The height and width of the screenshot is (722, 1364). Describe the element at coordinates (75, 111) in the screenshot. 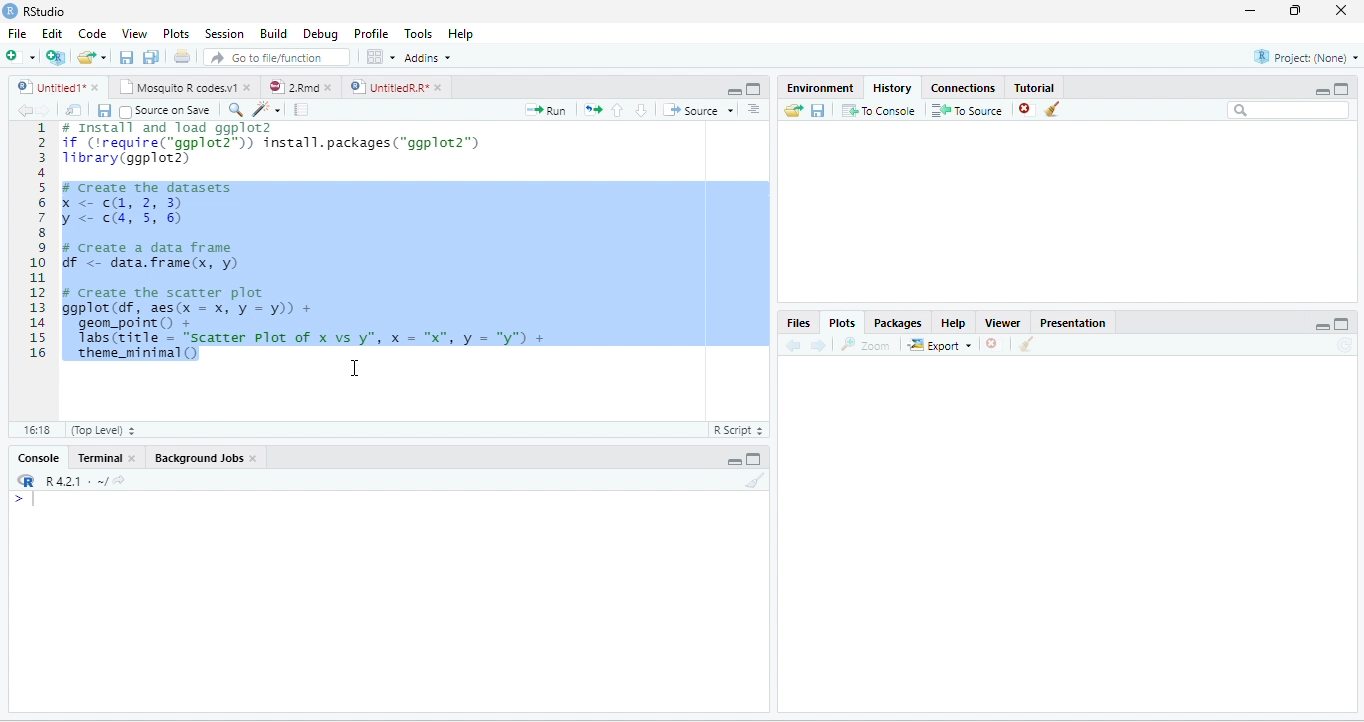

I see `Show in new window` at that location.